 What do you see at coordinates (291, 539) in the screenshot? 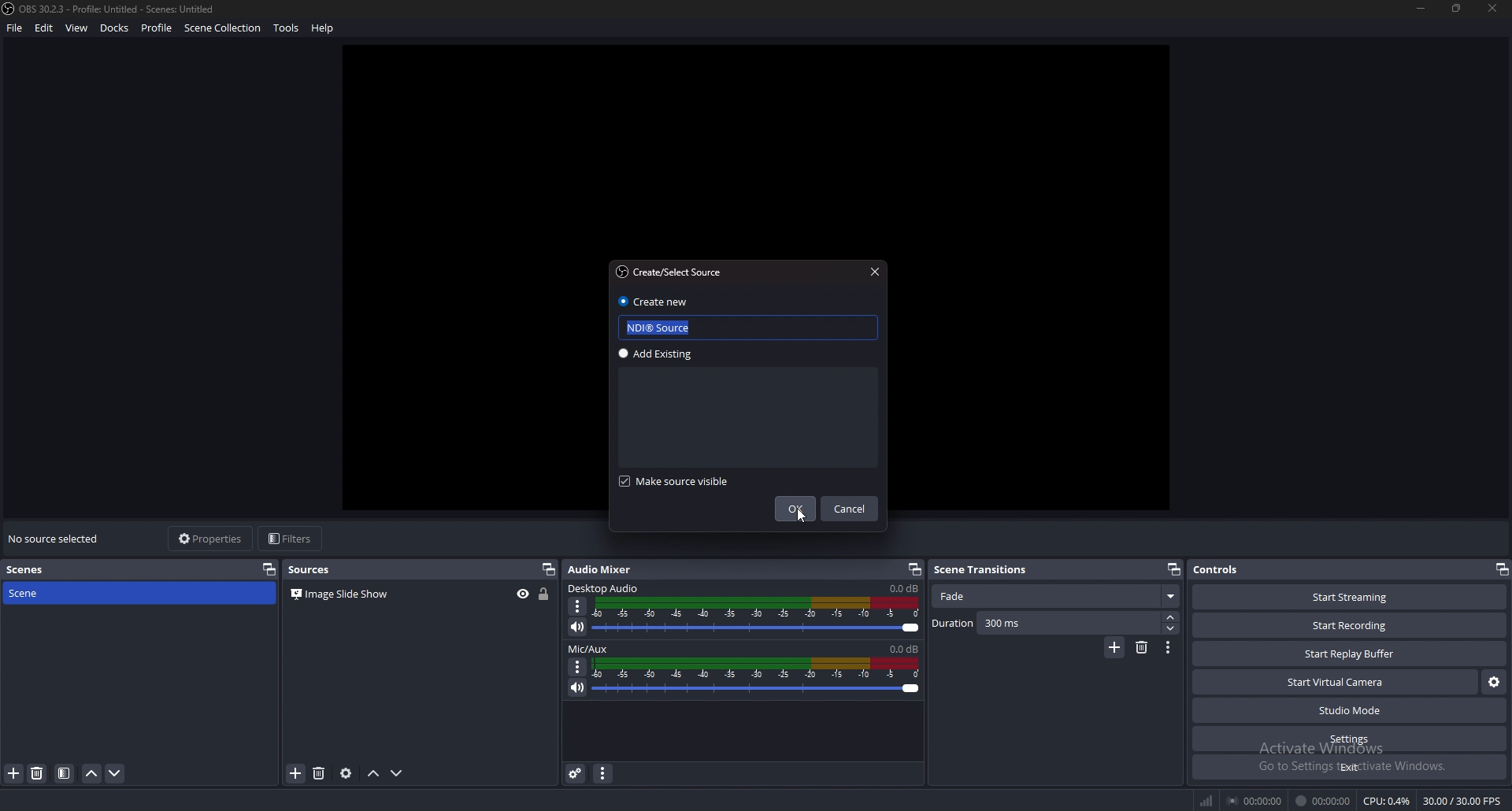
I see `filters` at bounding box center [291, 539].